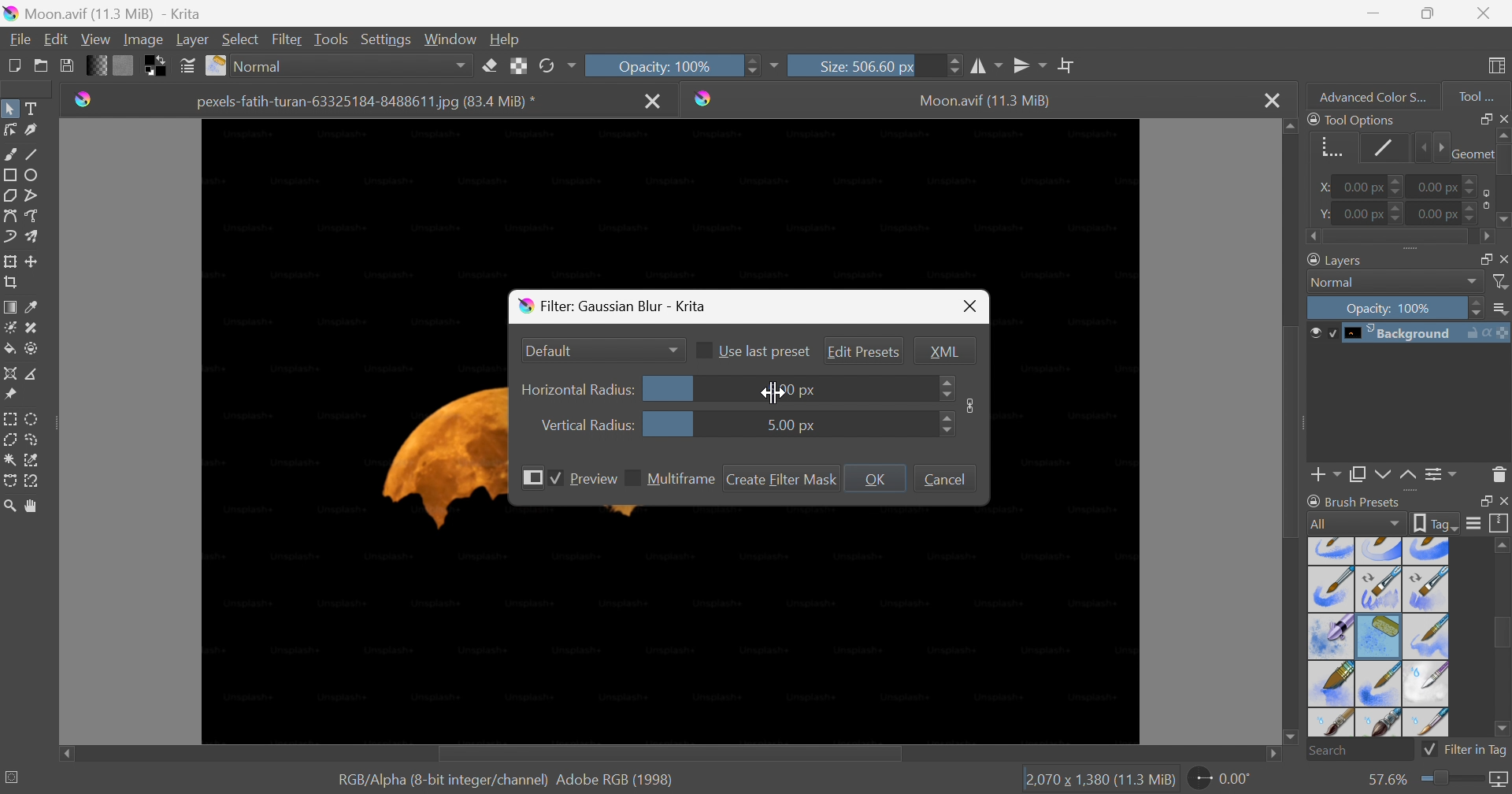 Image resolution: width=1512 pixels, height=794 pixels. Describe the element at coordinates (618, 307) in the screenshot. I see `Filter: Gaussian Blur - Krita` at that location.